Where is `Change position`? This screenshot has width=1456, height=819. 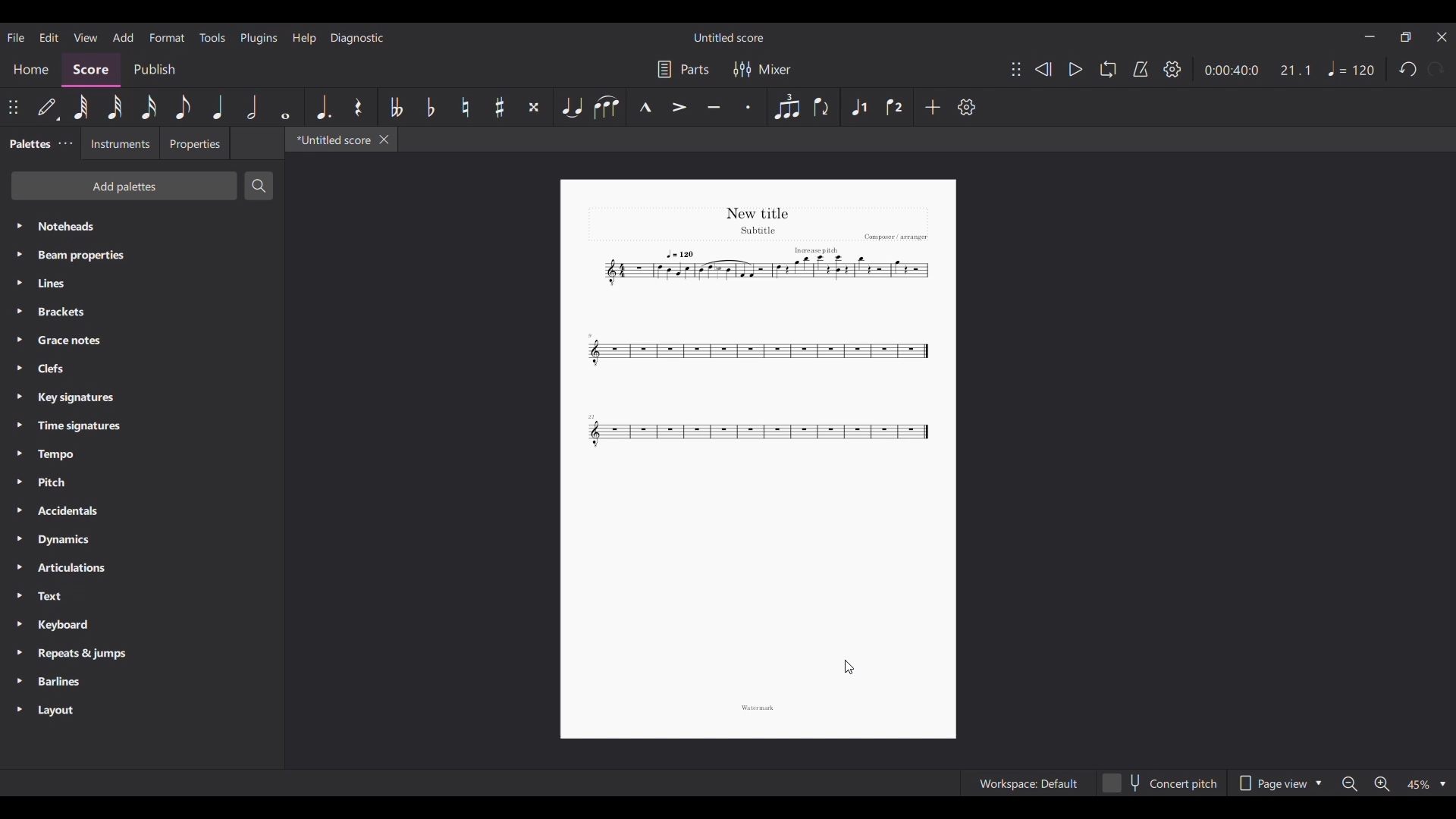 Change position is located at coordinates (13, 107).